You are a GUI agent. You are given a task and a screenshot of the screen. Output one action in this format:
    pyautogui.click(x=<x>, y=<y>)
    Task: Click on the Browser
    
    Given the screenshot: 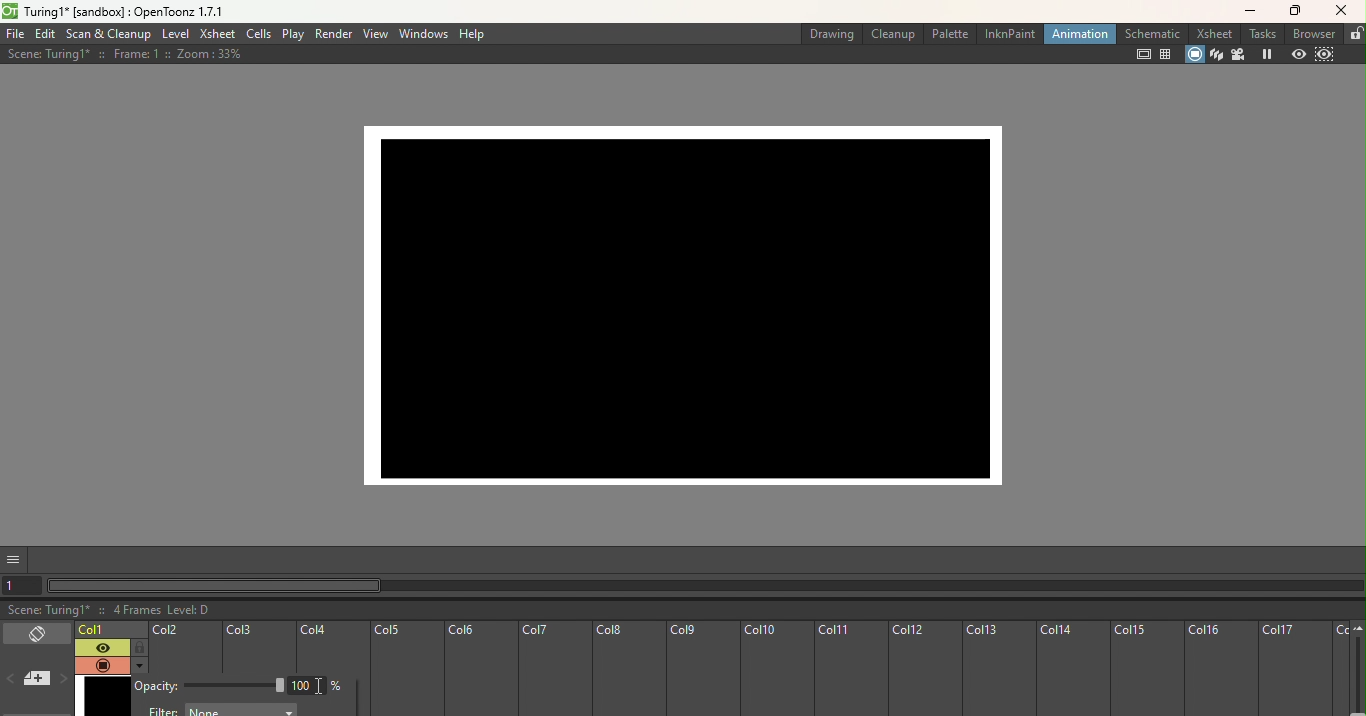 What is the action you would take?
    pyautogui.click(x=1310, y=34)
    